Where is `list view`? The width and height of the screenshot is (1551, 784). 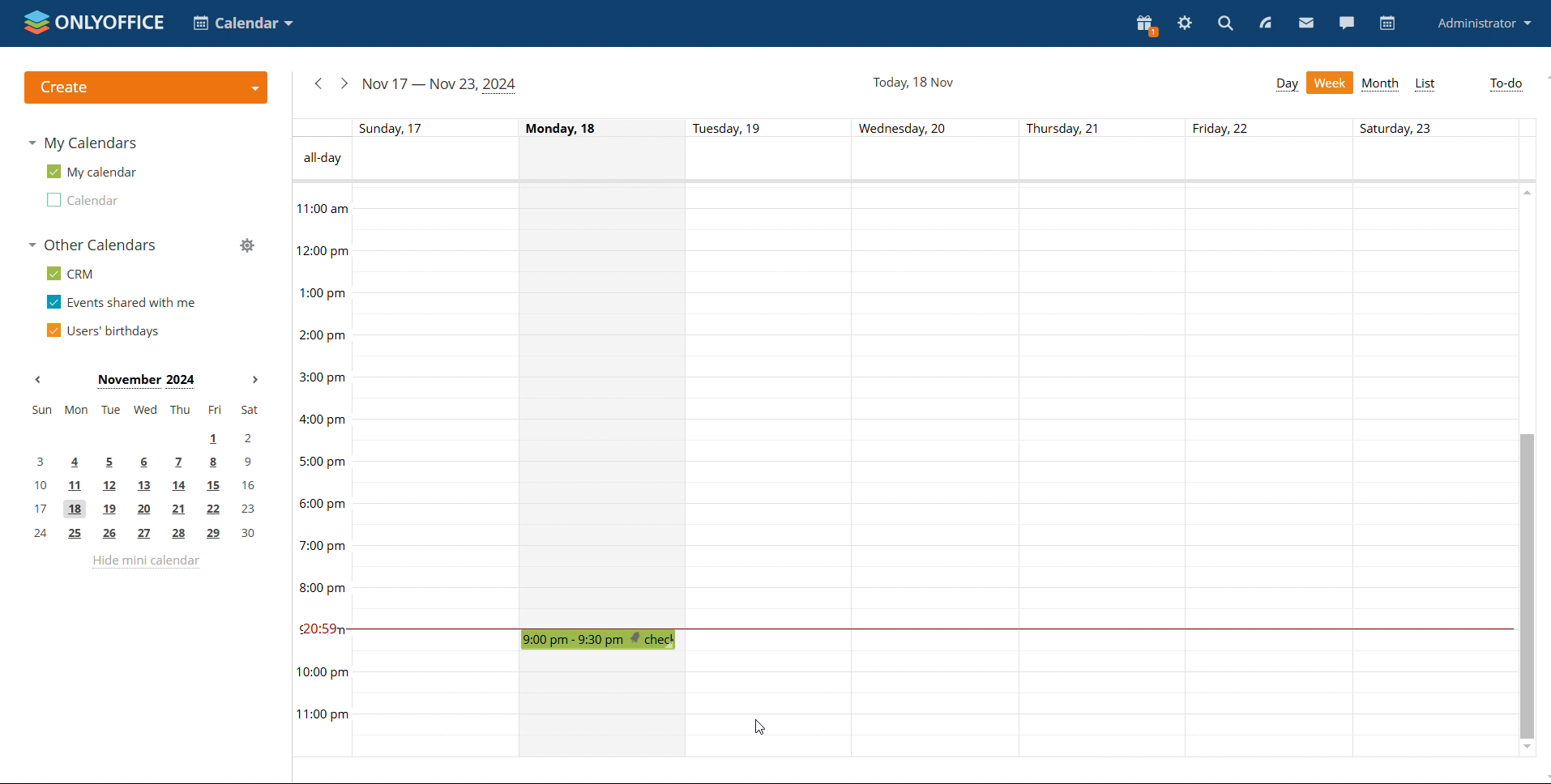
list view is located at coordinates (1425, 84).